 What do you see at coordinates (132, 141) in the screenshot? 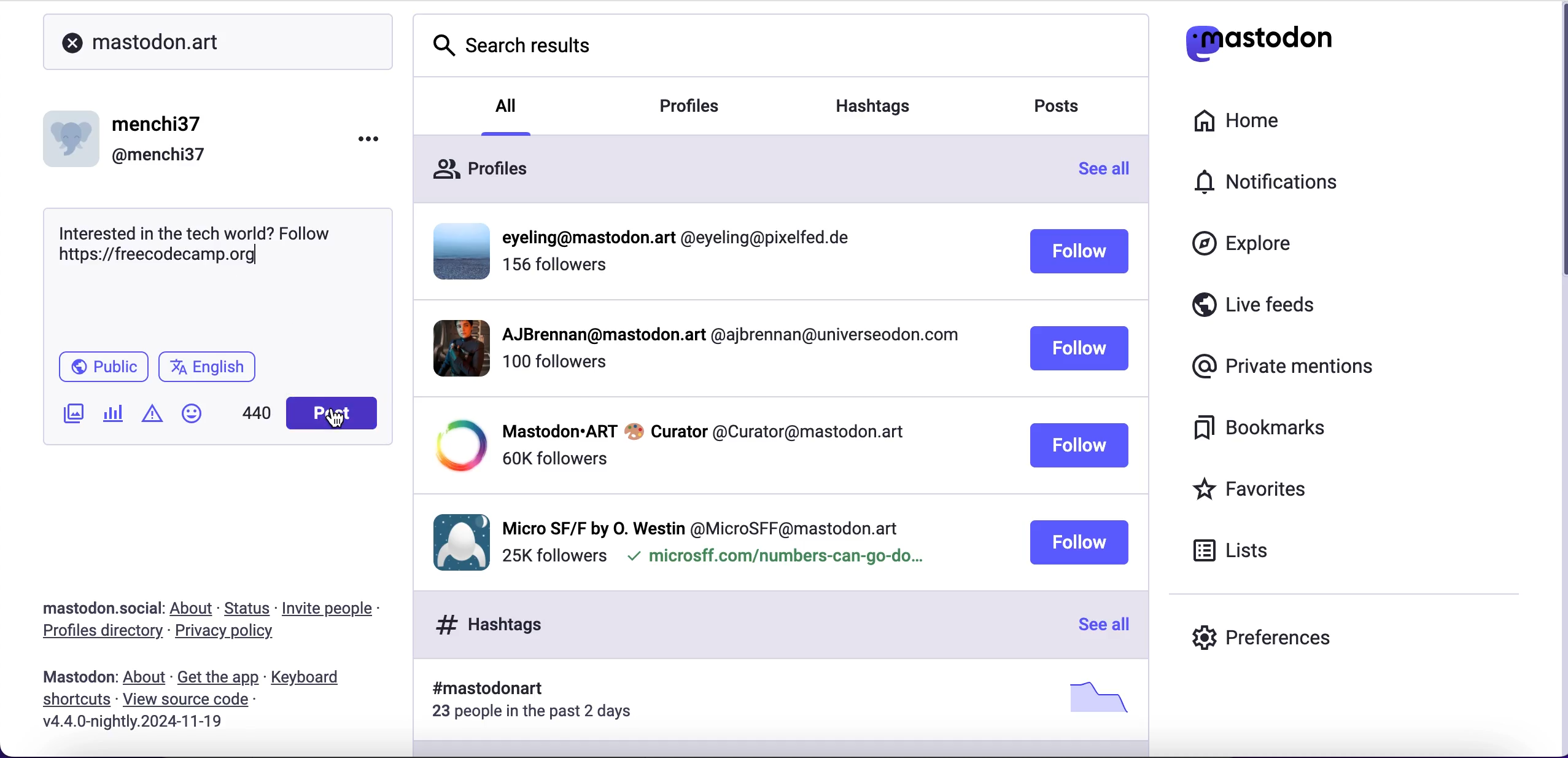
I see `user` at bounding box center [132, 141].